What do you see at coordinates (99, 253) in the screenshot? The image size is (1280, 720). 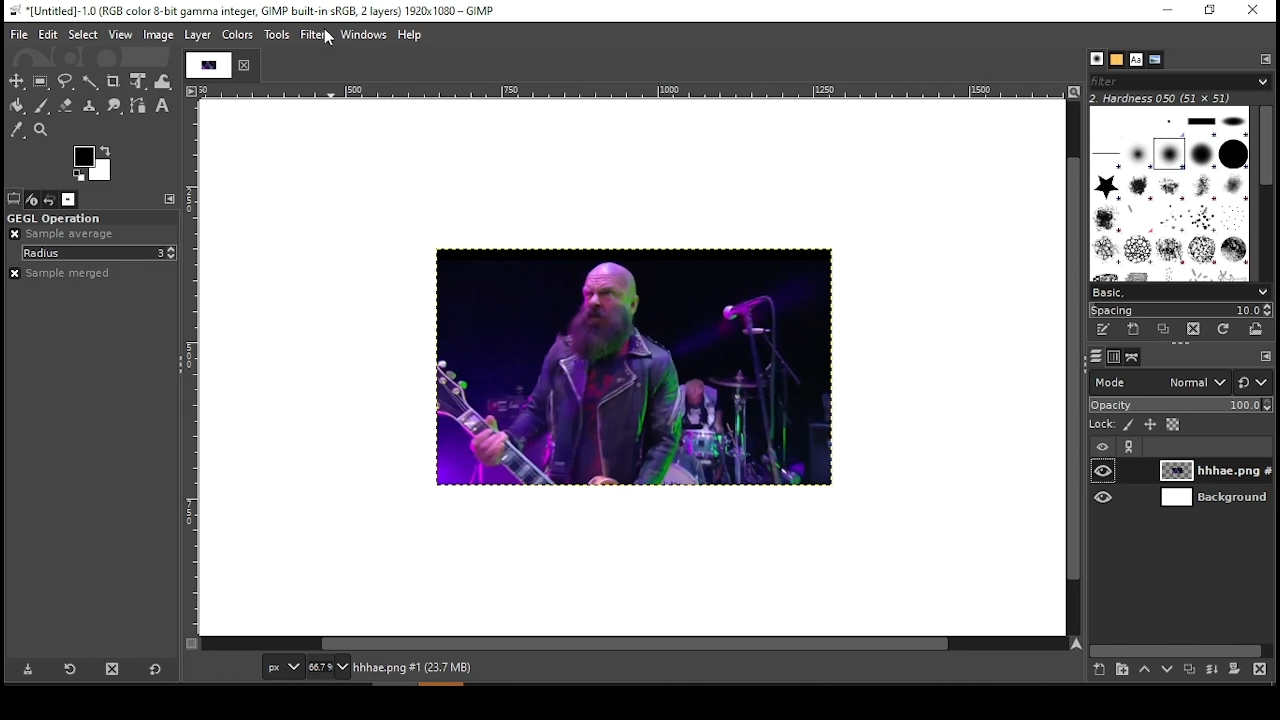 I see `radius` at bounding box center [99, 253].